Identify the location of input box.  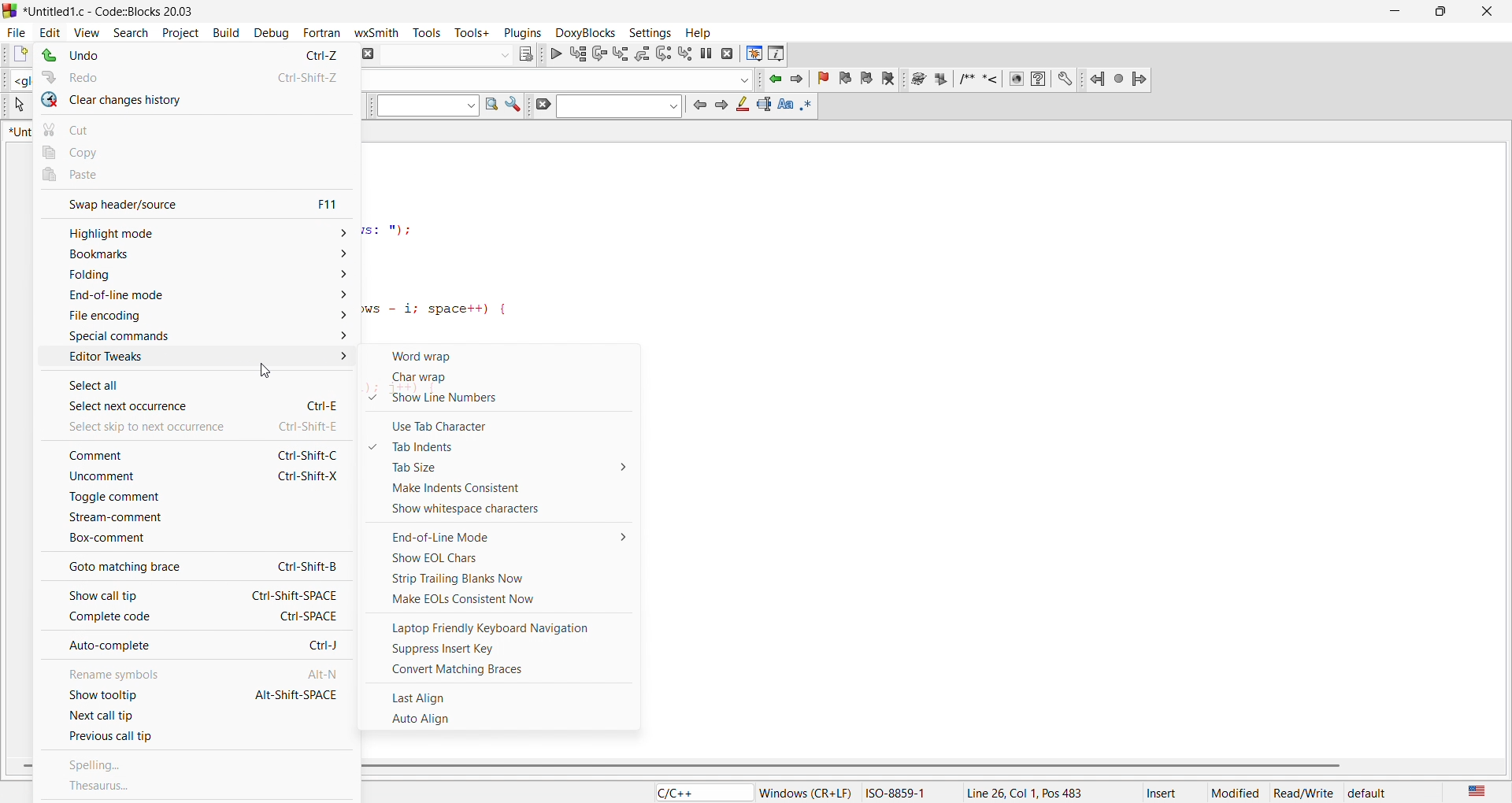
(422, 109).